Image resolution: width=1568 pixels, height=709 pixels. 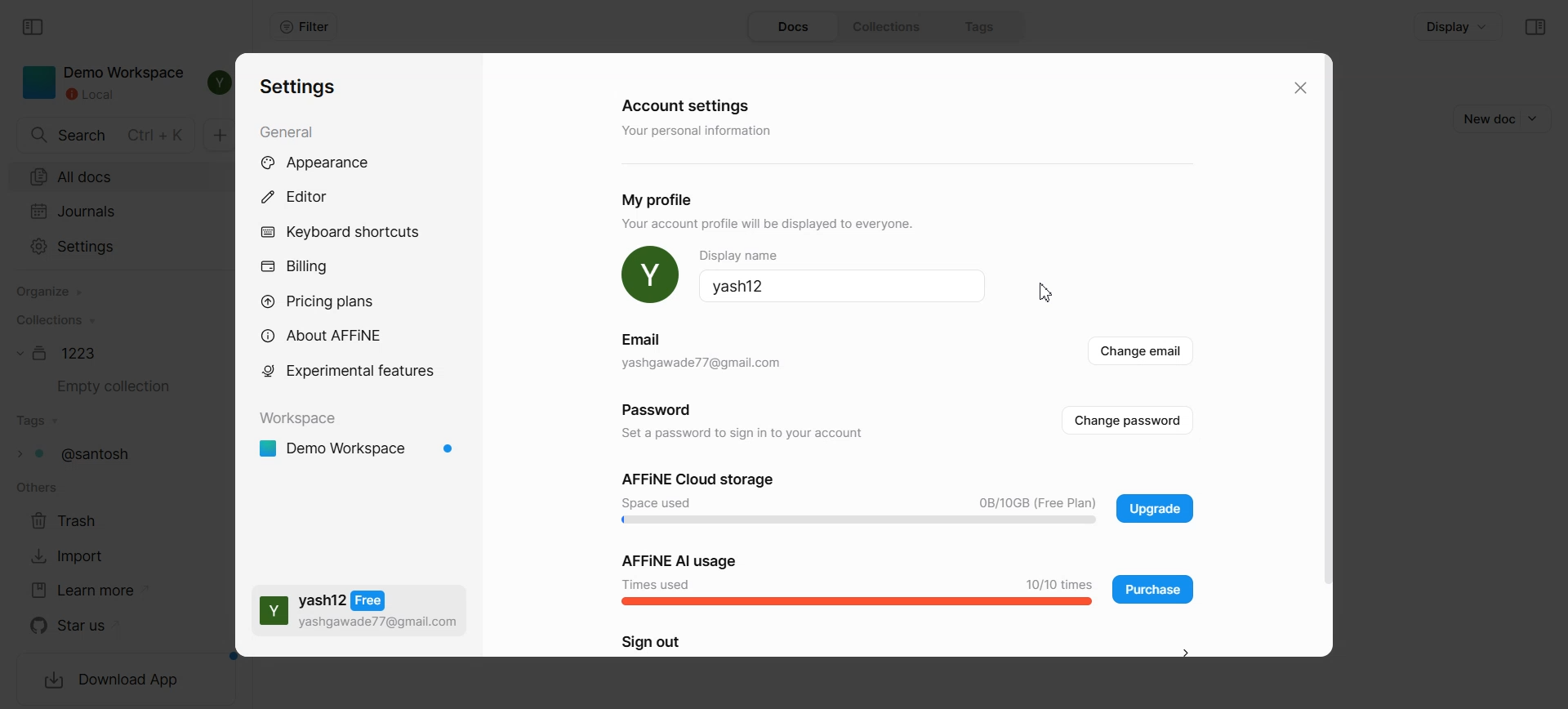 What do you see at coordinates (1458, 25) in the screenshot?
I see `Display` at bounding box center [1458, 25].